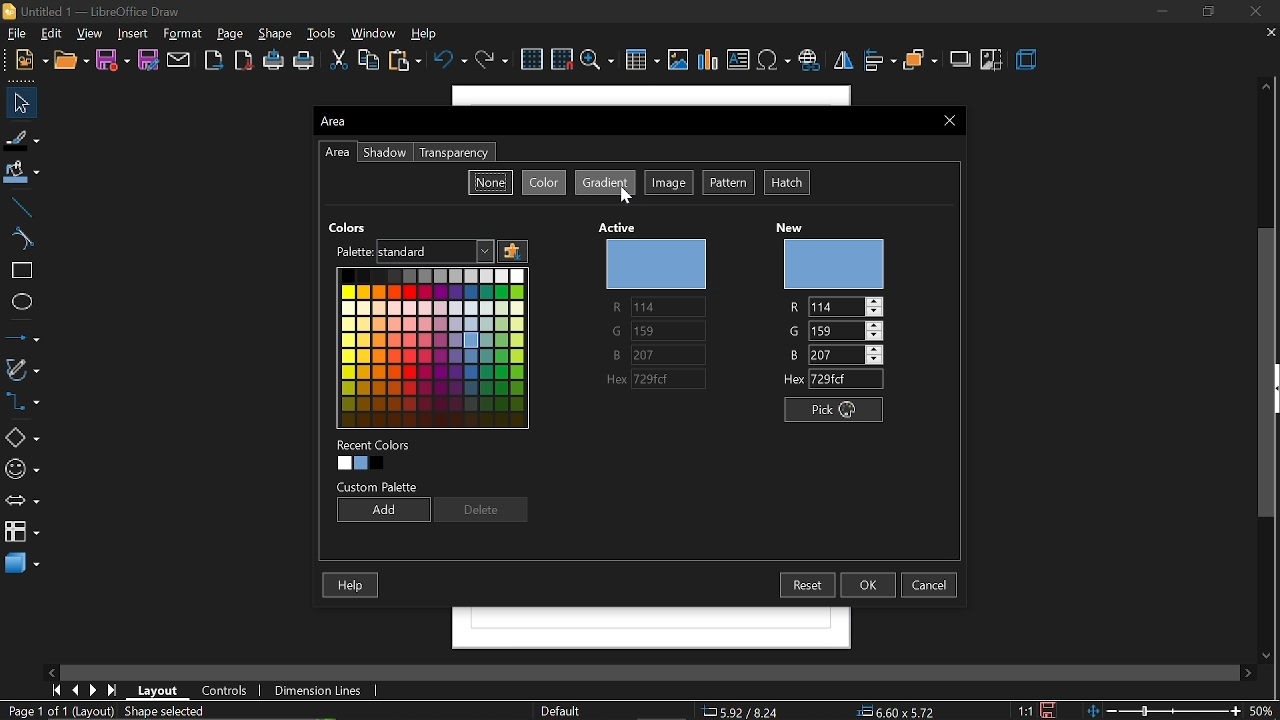 The image size is (1280, 720). I want to click on save, so click(1046, 710).